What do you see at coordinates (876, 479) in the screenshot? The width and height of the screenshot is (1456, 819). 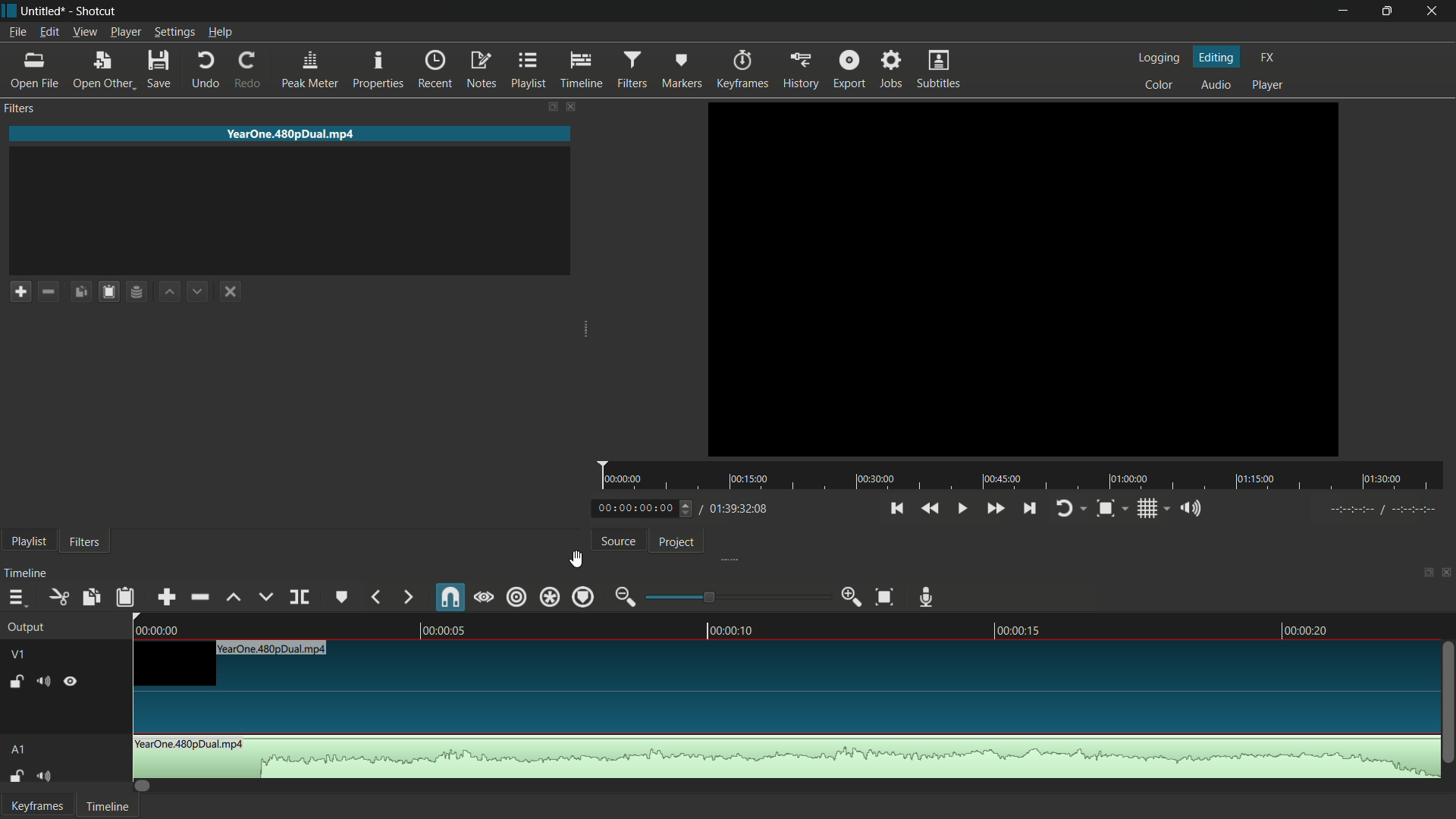 I see `00:30:00` at bounding box center [876, 479].